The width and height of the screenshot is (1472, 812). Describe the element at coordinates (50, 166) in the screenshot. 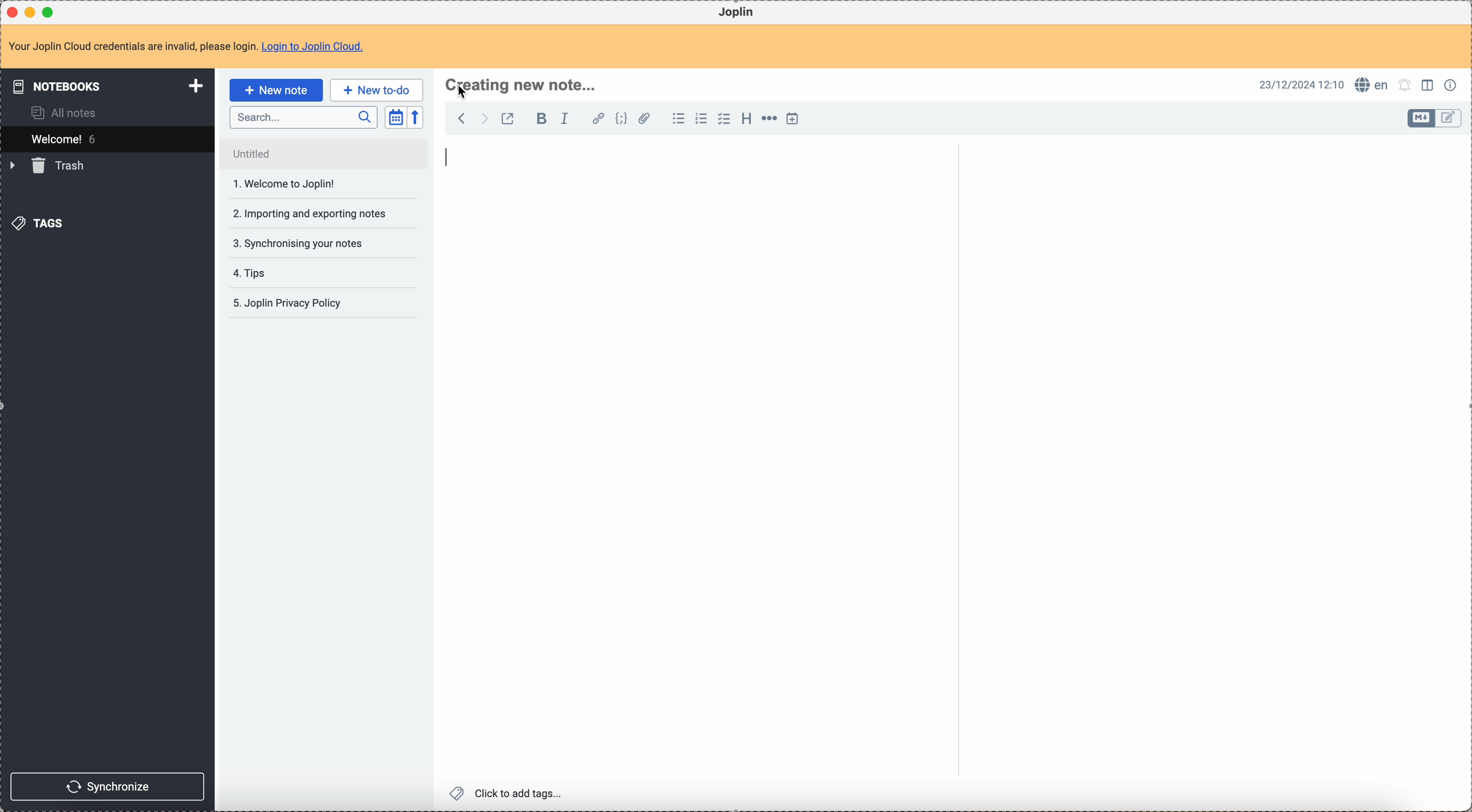

I see `trash` at that location.